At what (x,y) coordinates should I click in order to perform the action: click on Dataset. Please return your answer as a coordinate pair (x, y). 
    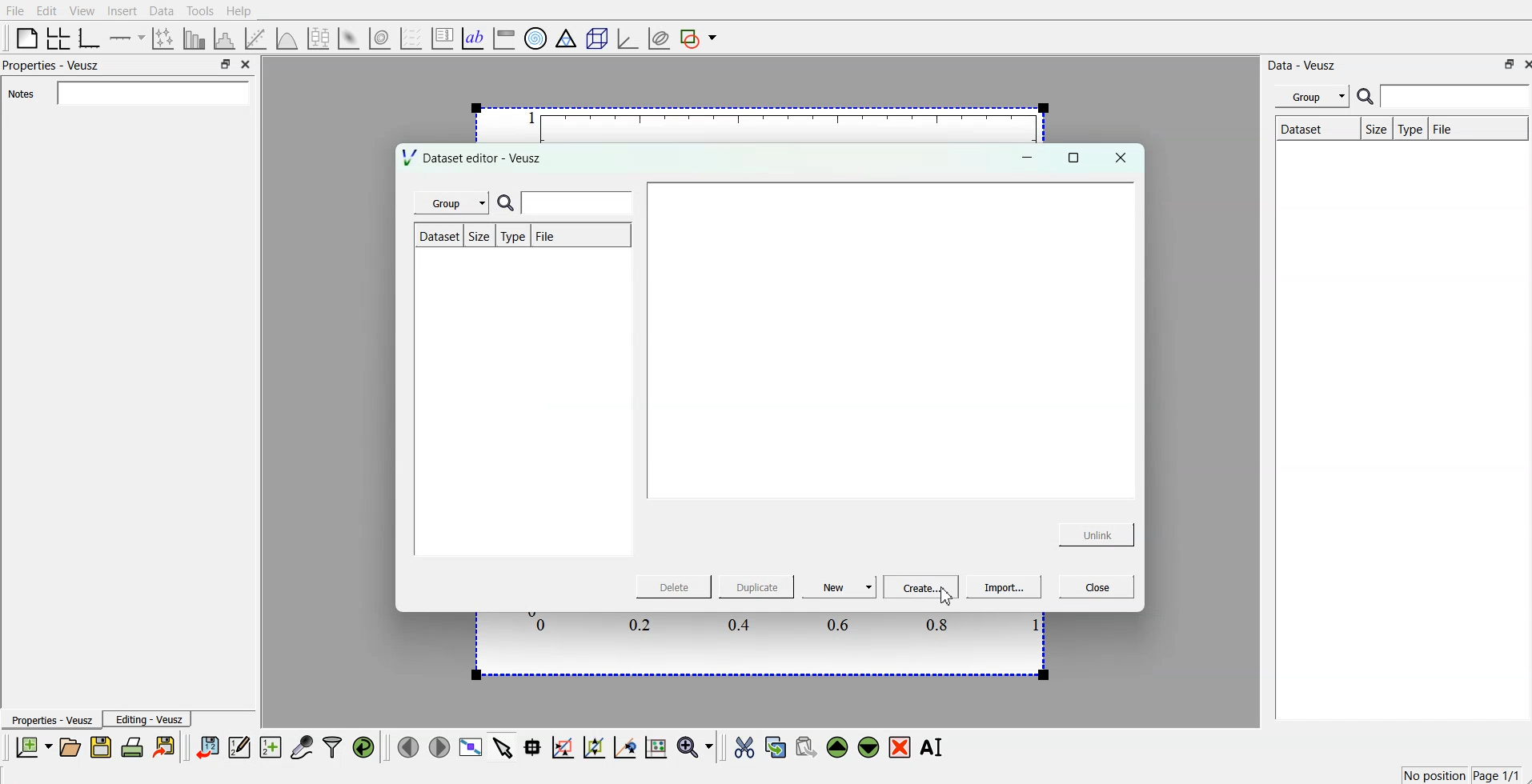
    Looking at the image, I should click on (437, 236).